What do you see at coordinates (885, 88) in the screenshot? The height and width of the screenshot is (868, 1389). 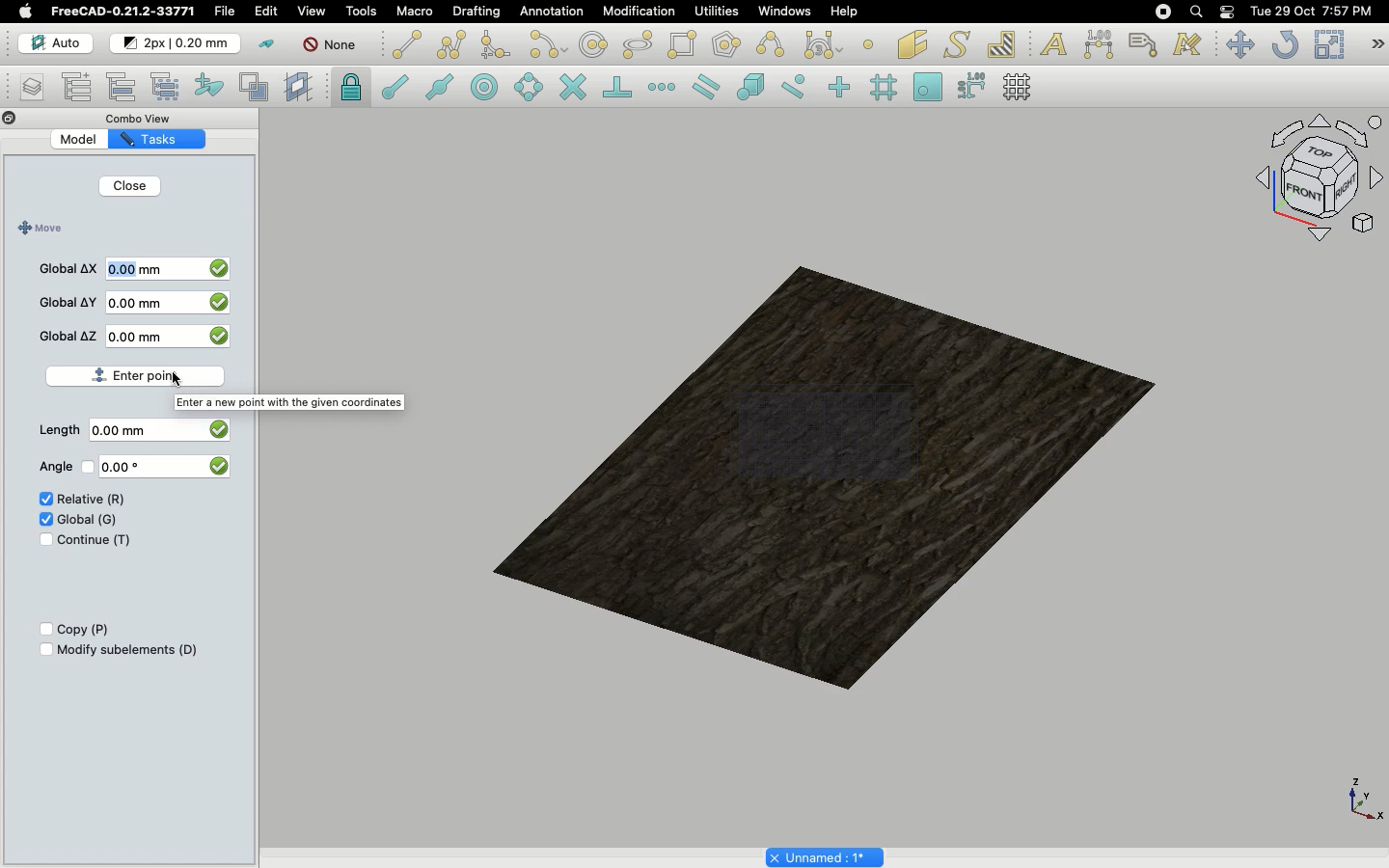 I see `Snap grid` at bounding box center [885, 88].